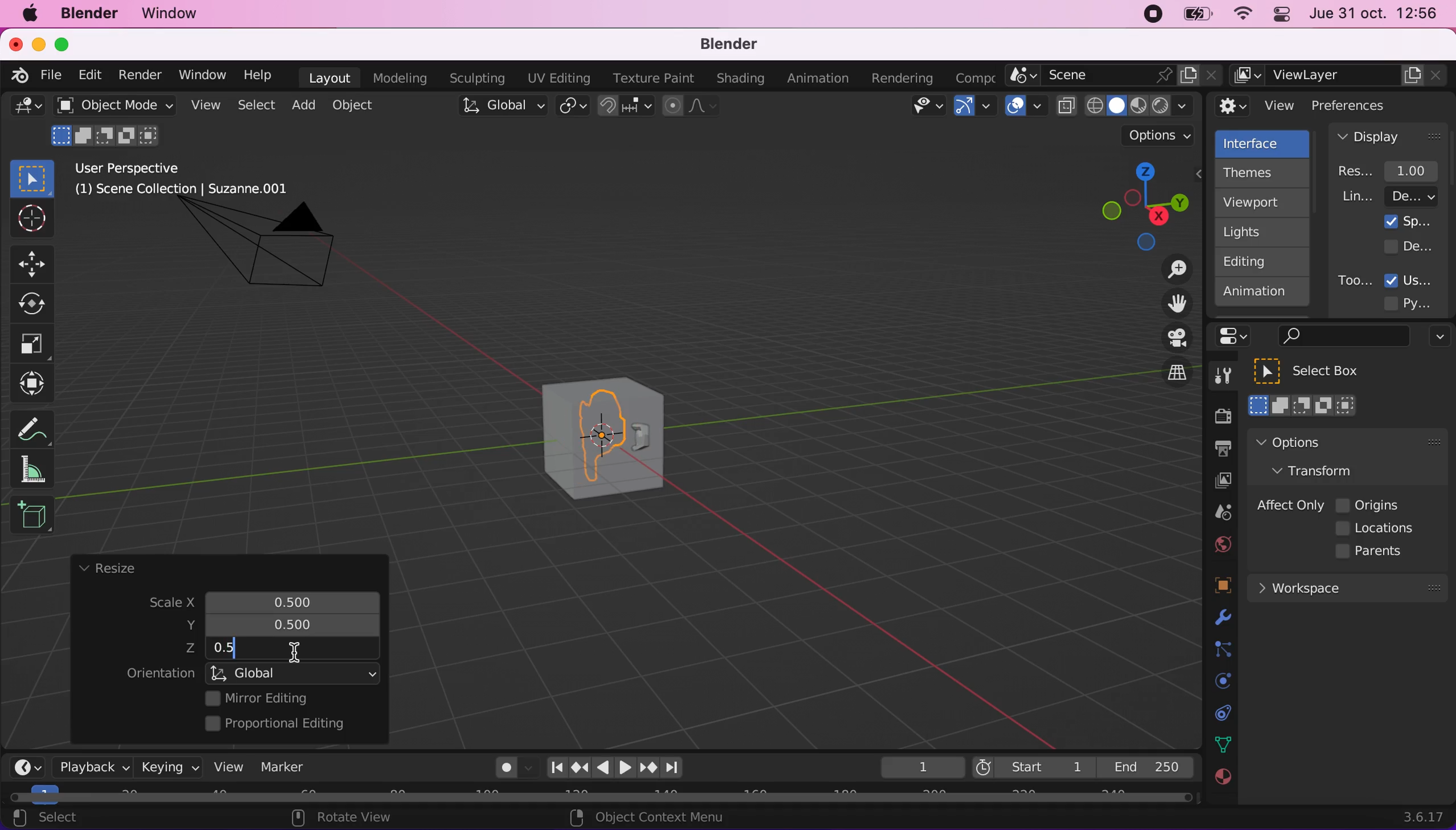 The image size is (1456, 830). Describe the element at coordinates (289, 599) in the screenshot. I see `scale x` at that location.